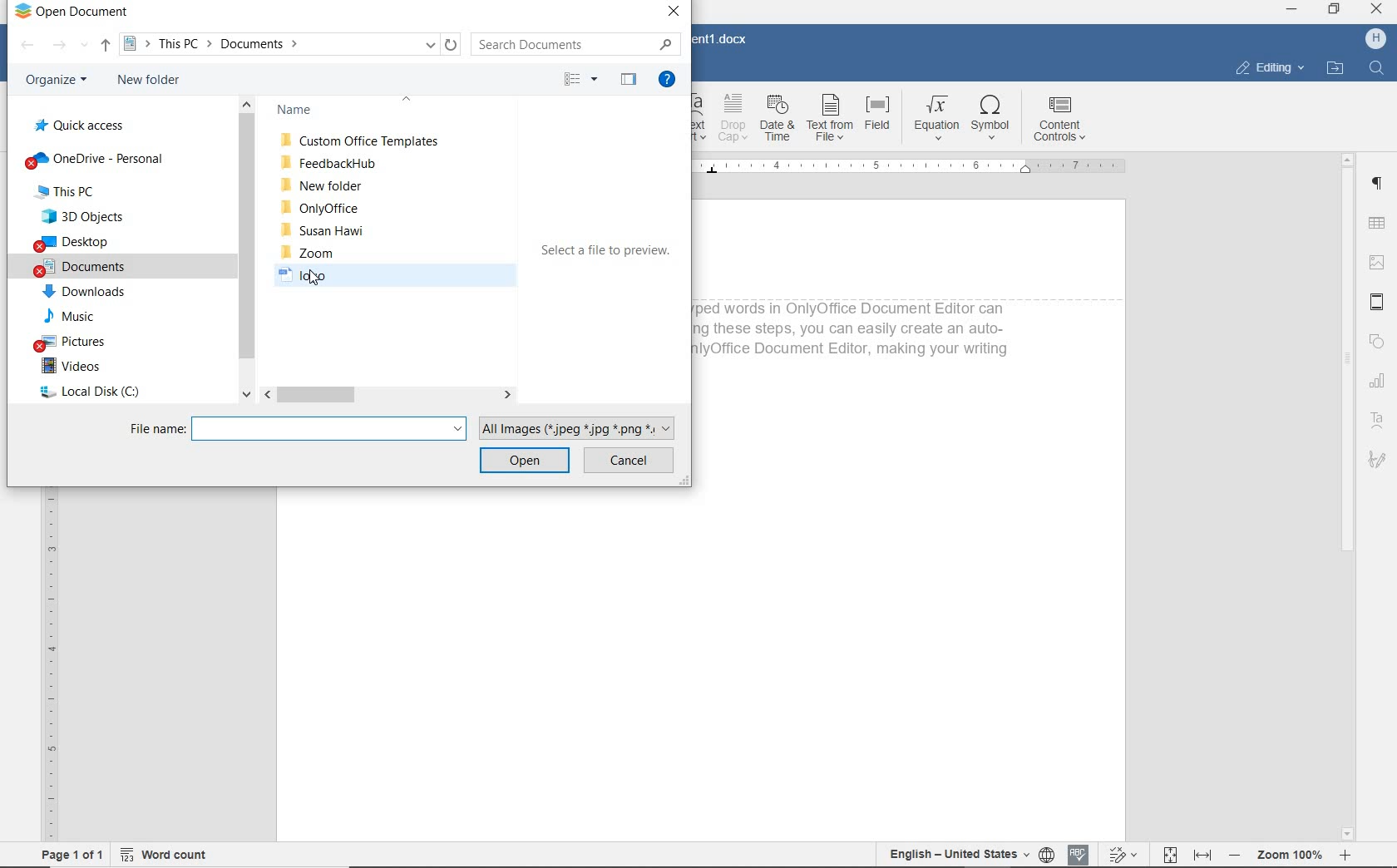 This screenshot has height=868, width=1397. I want to click on CHANGE YOUR VIEW, so click(582, 79).